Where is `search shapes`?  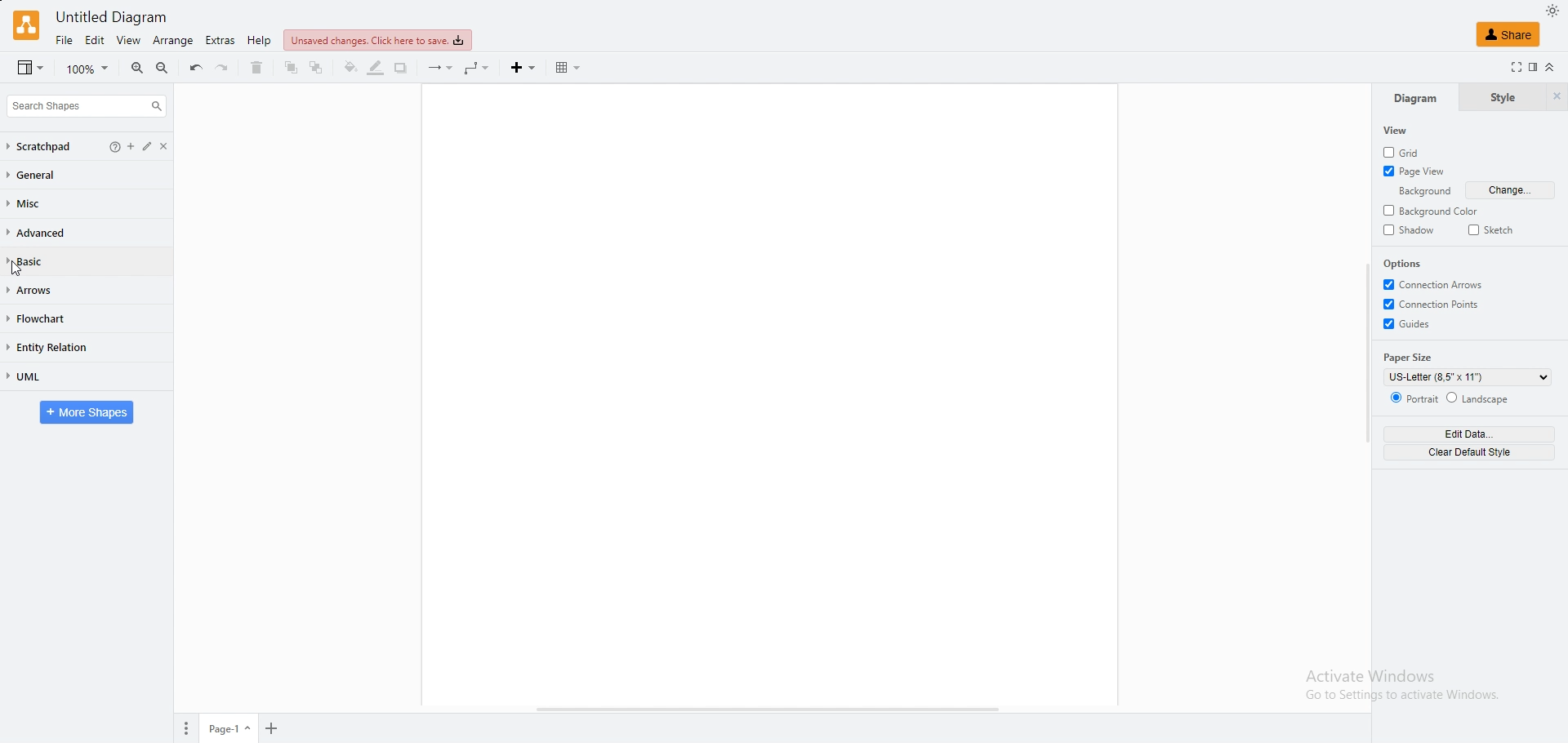
search shapes is located at coordinates (87, 106).